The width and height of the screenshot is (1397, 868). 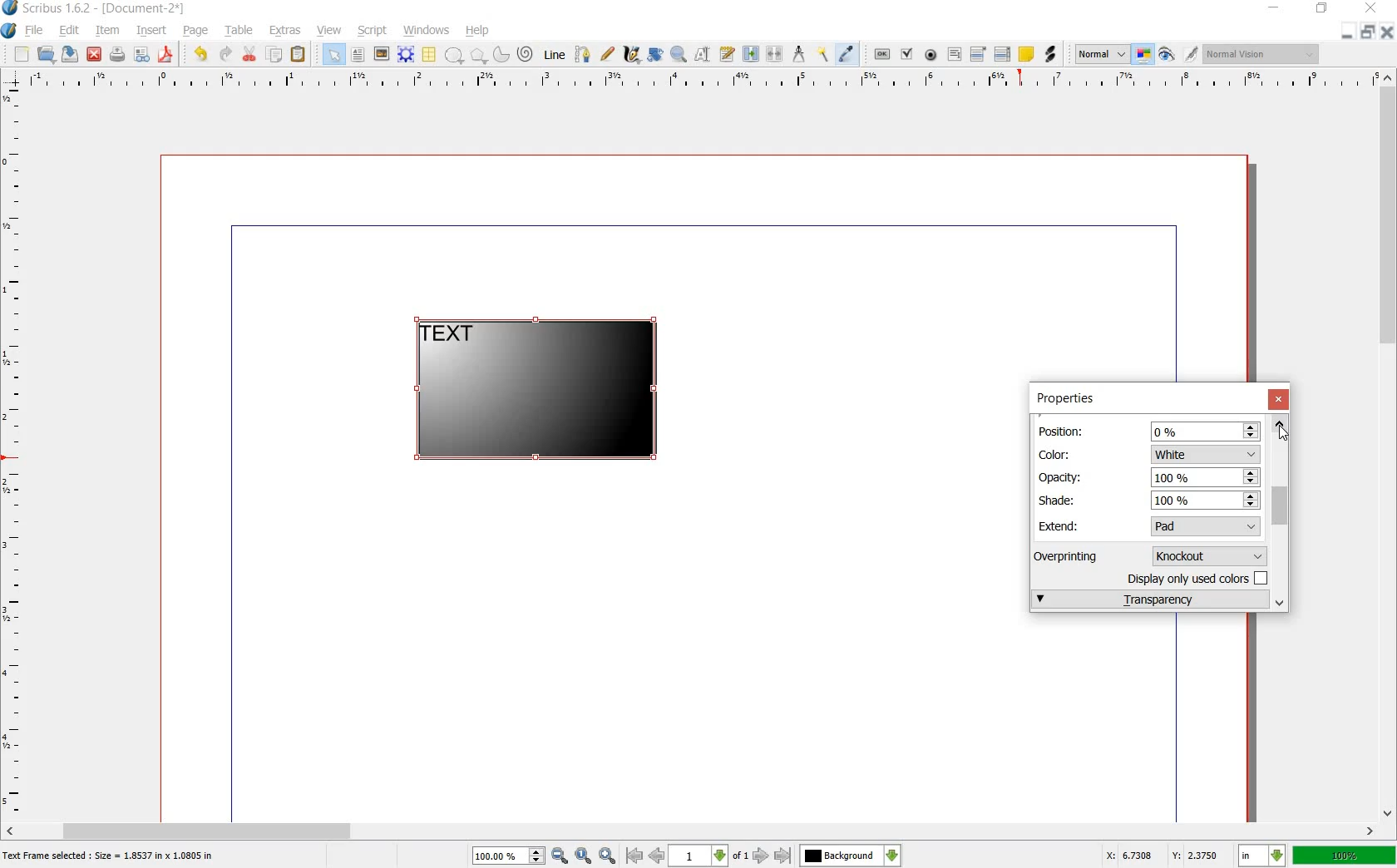 I want to click on new, so click(x=22, y=55).